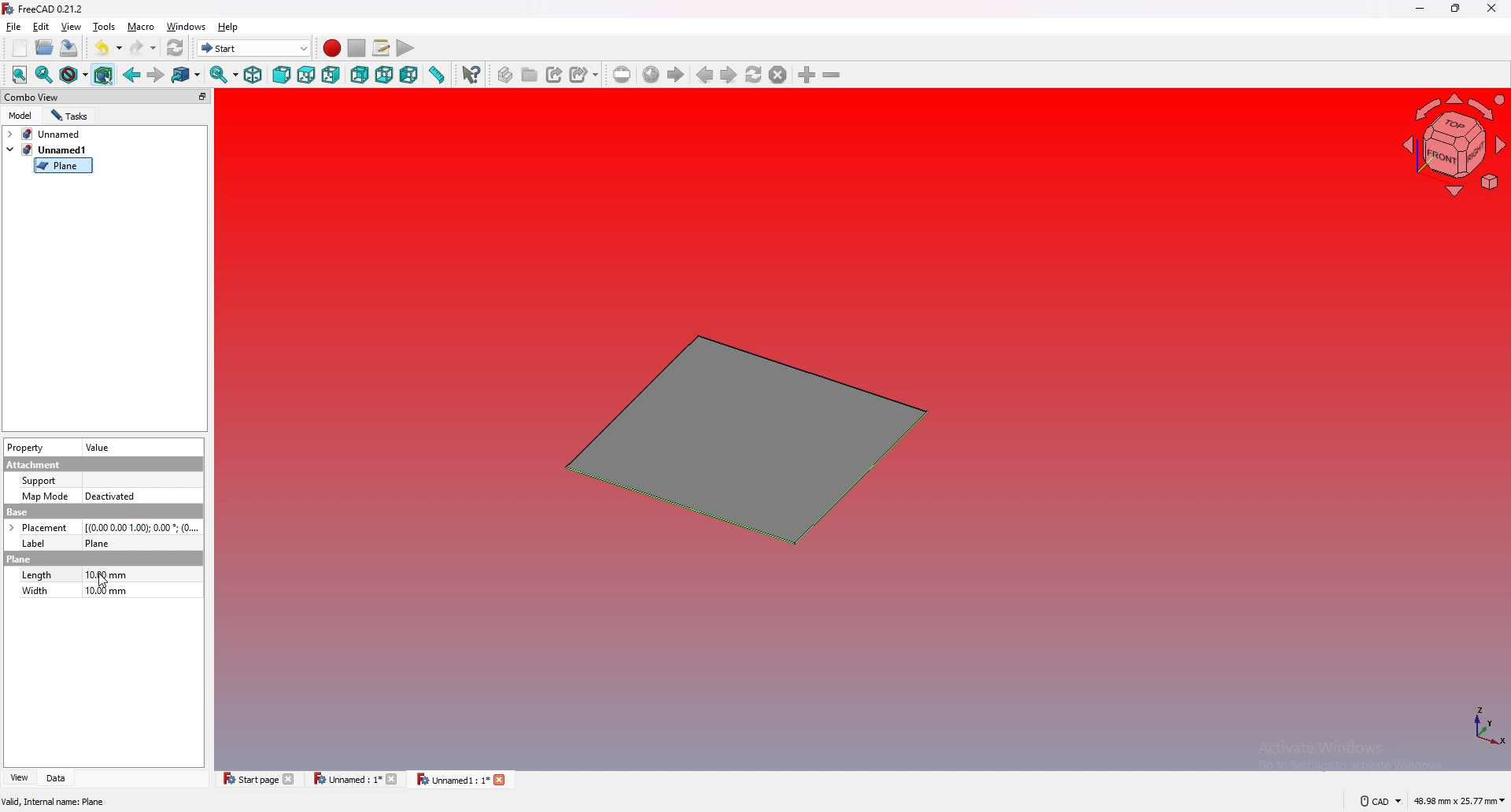  Describe the element at coordinates (103, 581) in the screenshot. I see `cursor` at that location.